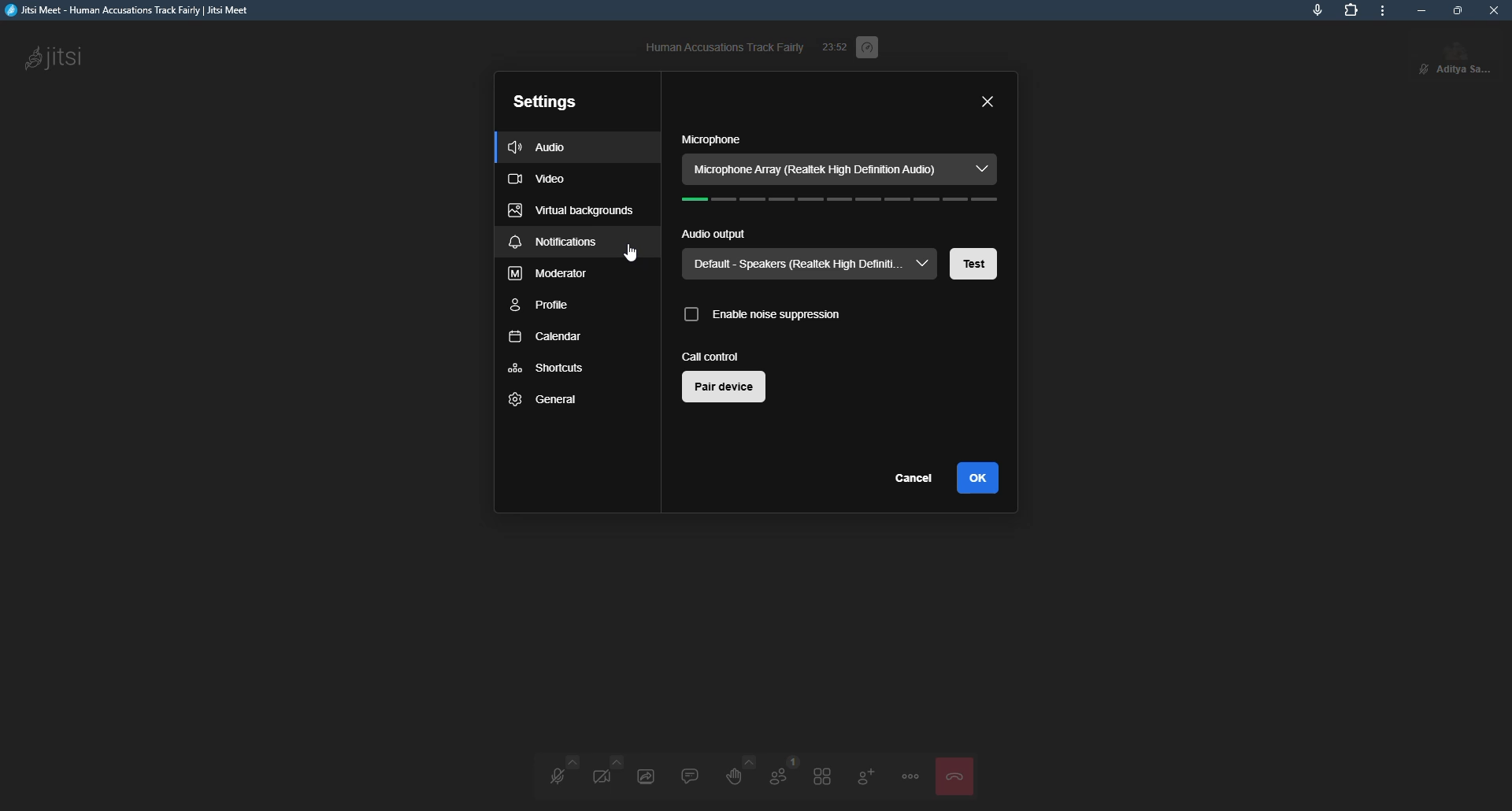  Describe the element at coordinates (1422, 69) in the screenshot. I see `unmute` at that location.